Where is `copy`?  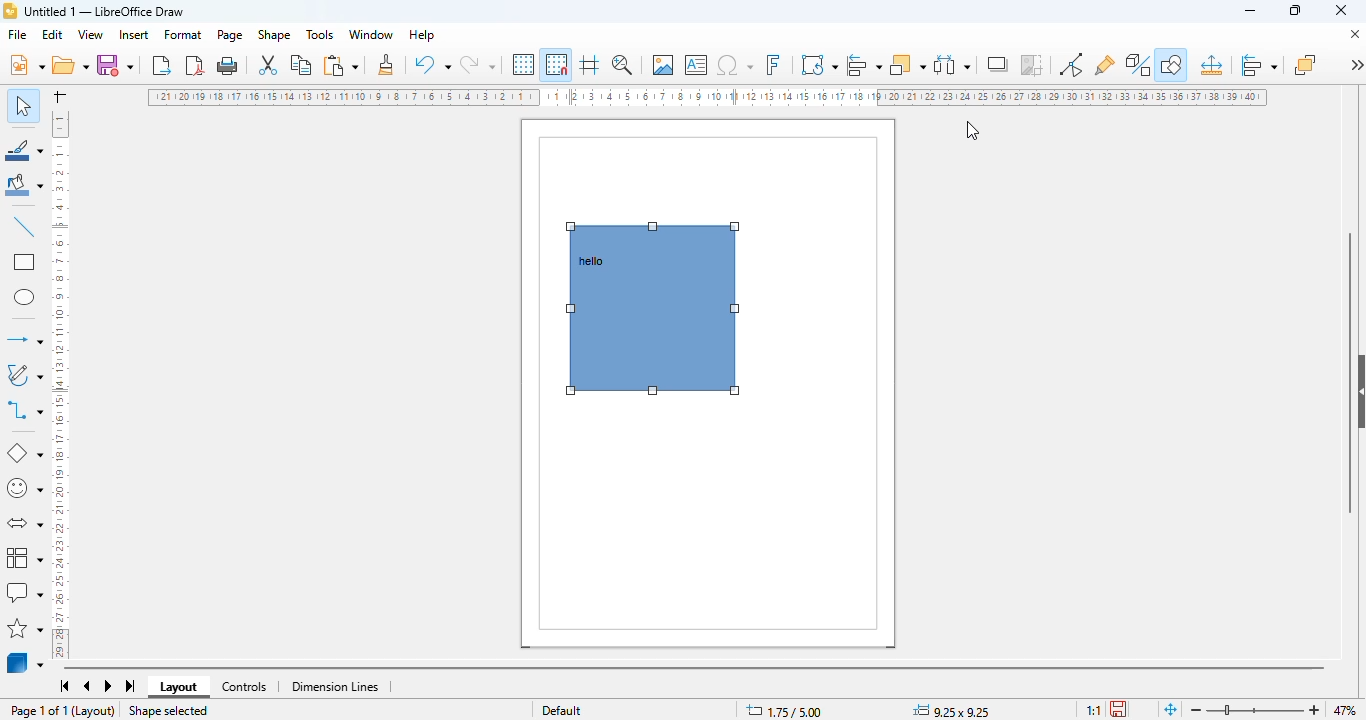
copy is located at coordinates (302, 65).